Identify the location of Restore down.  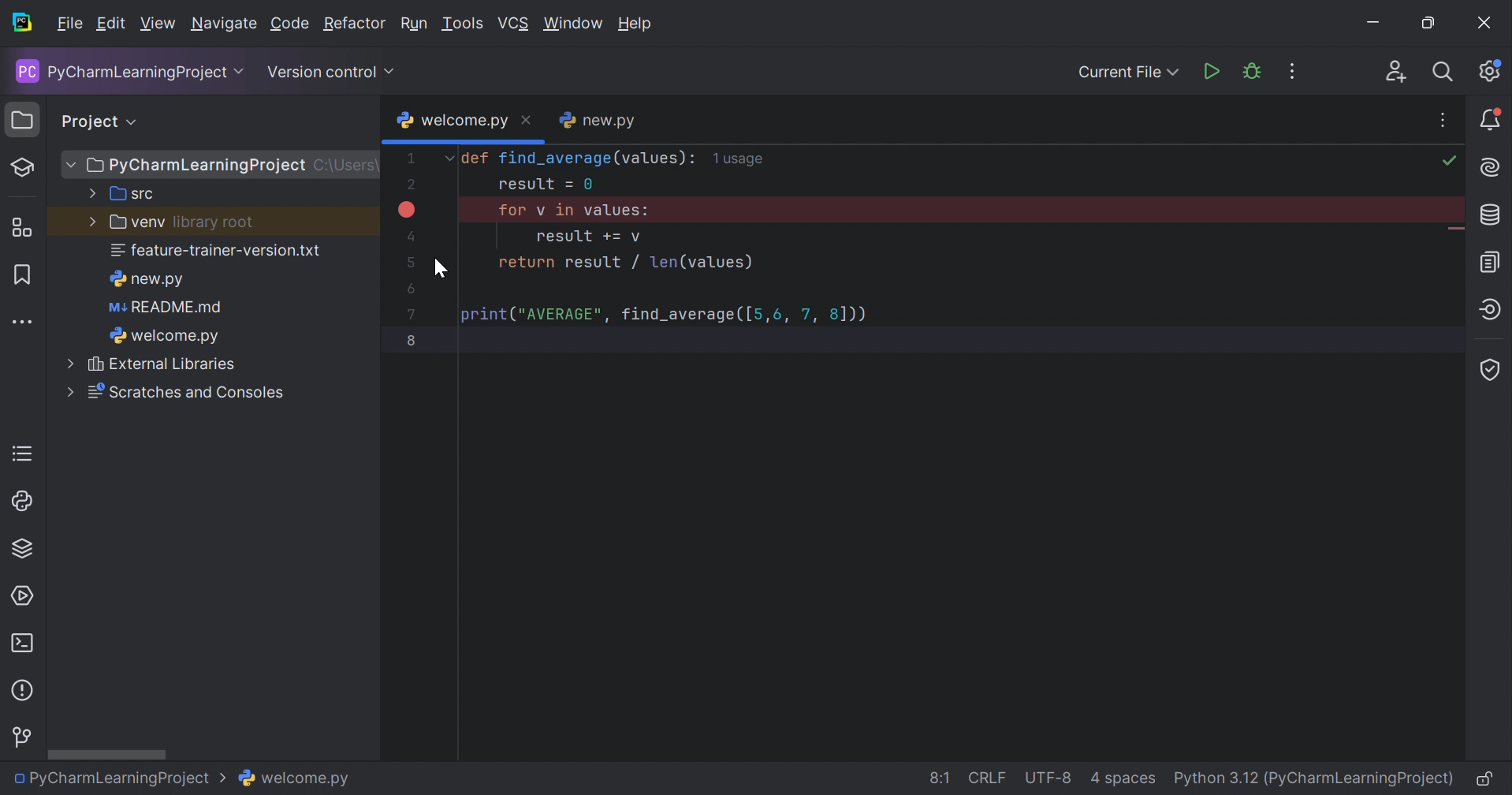
(1427, 25).